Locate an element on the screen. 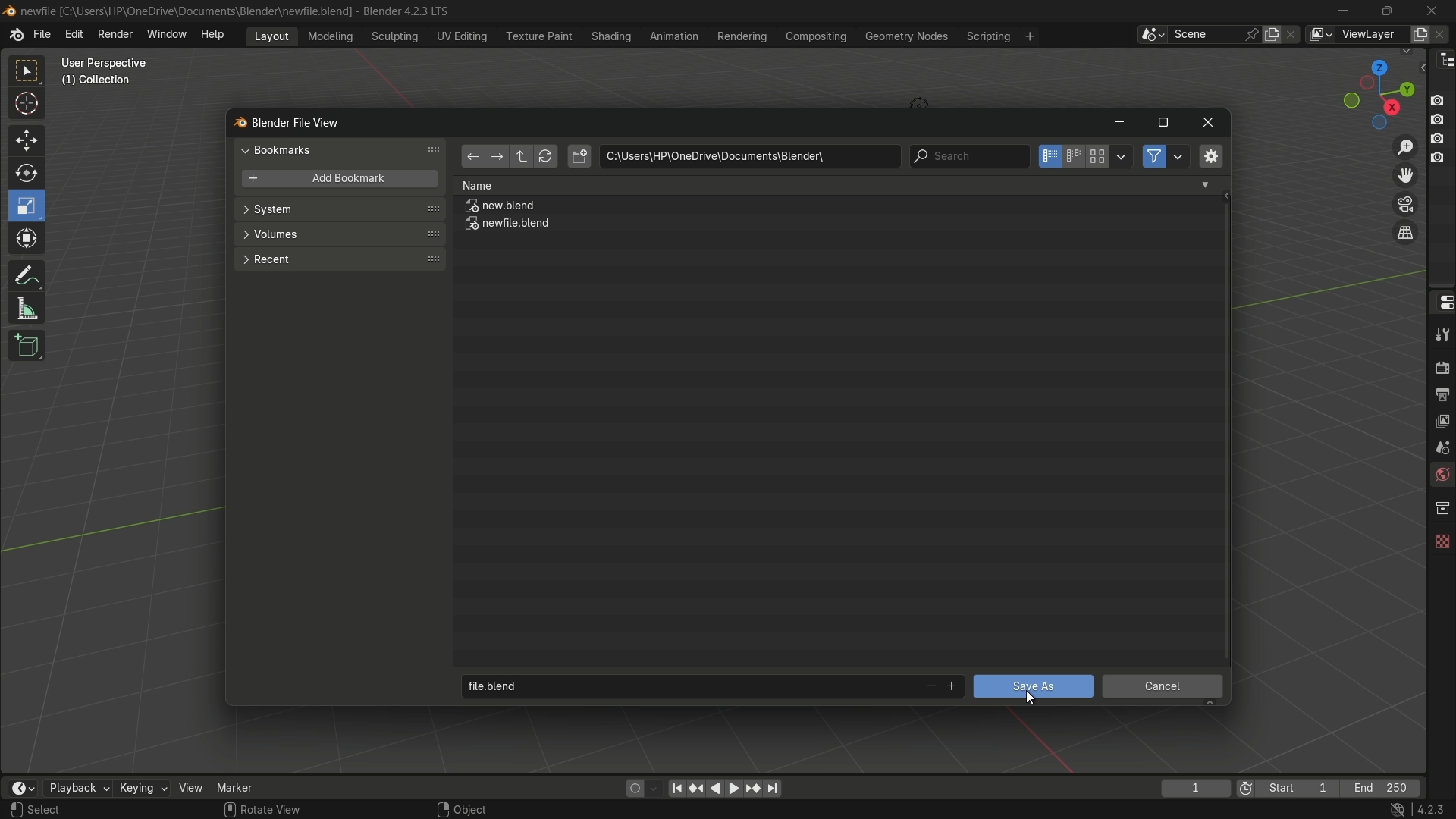  maximize or restore is located at coordinates (1386, 10).